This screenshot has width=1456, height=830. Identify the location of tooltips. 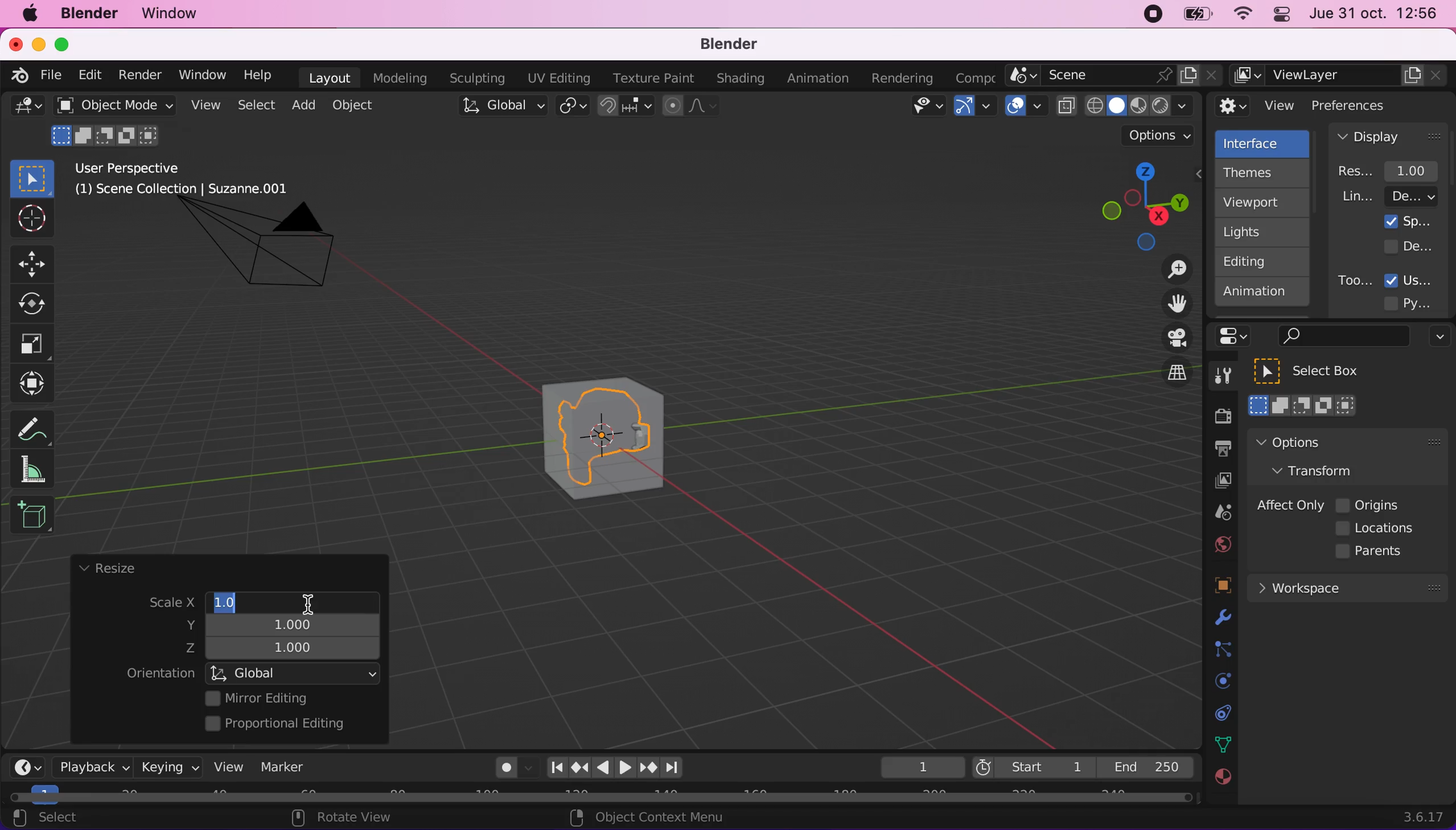
(1354, 280).